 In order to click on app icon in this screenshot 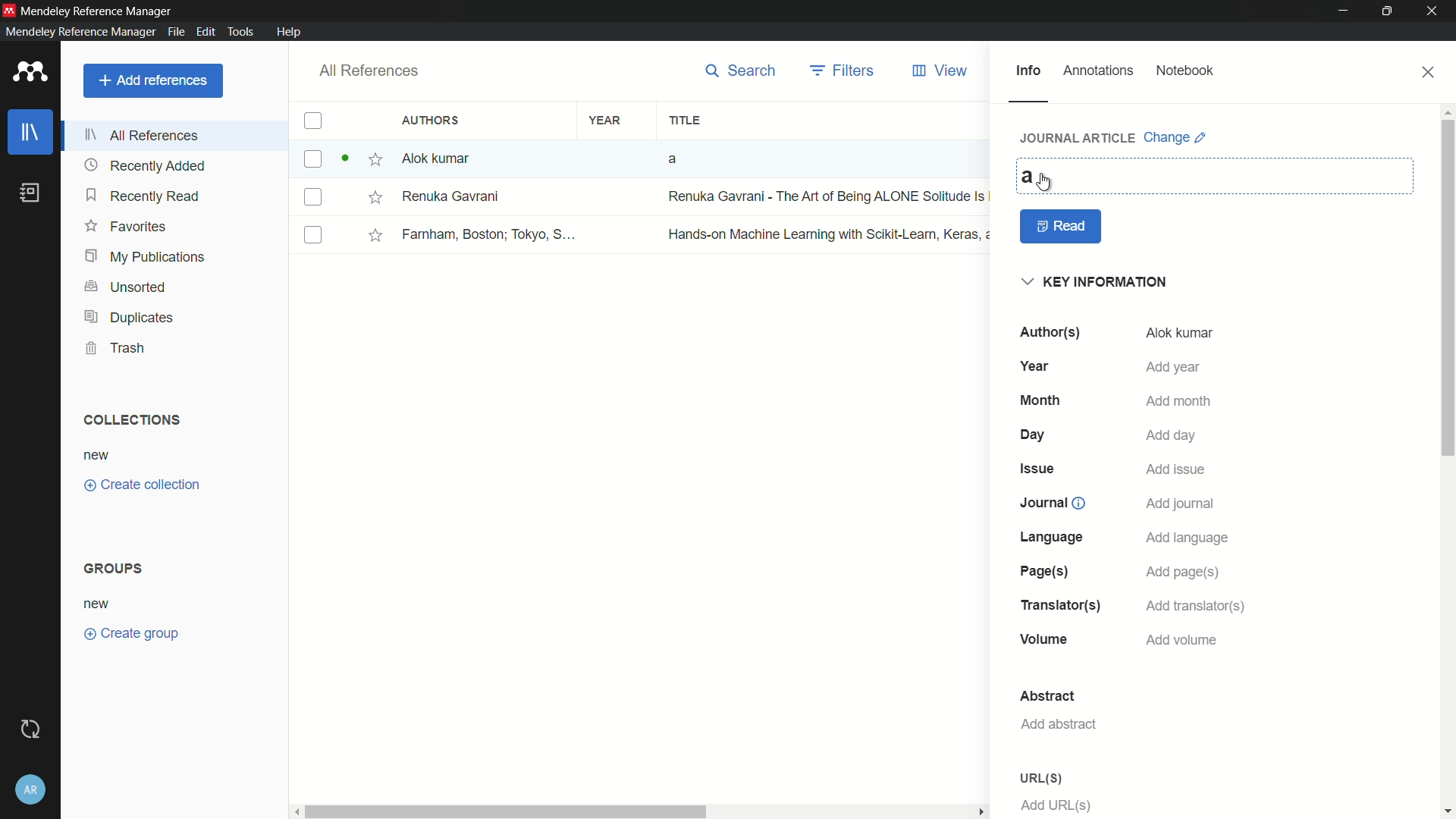, I will do `click(9, 10)`.